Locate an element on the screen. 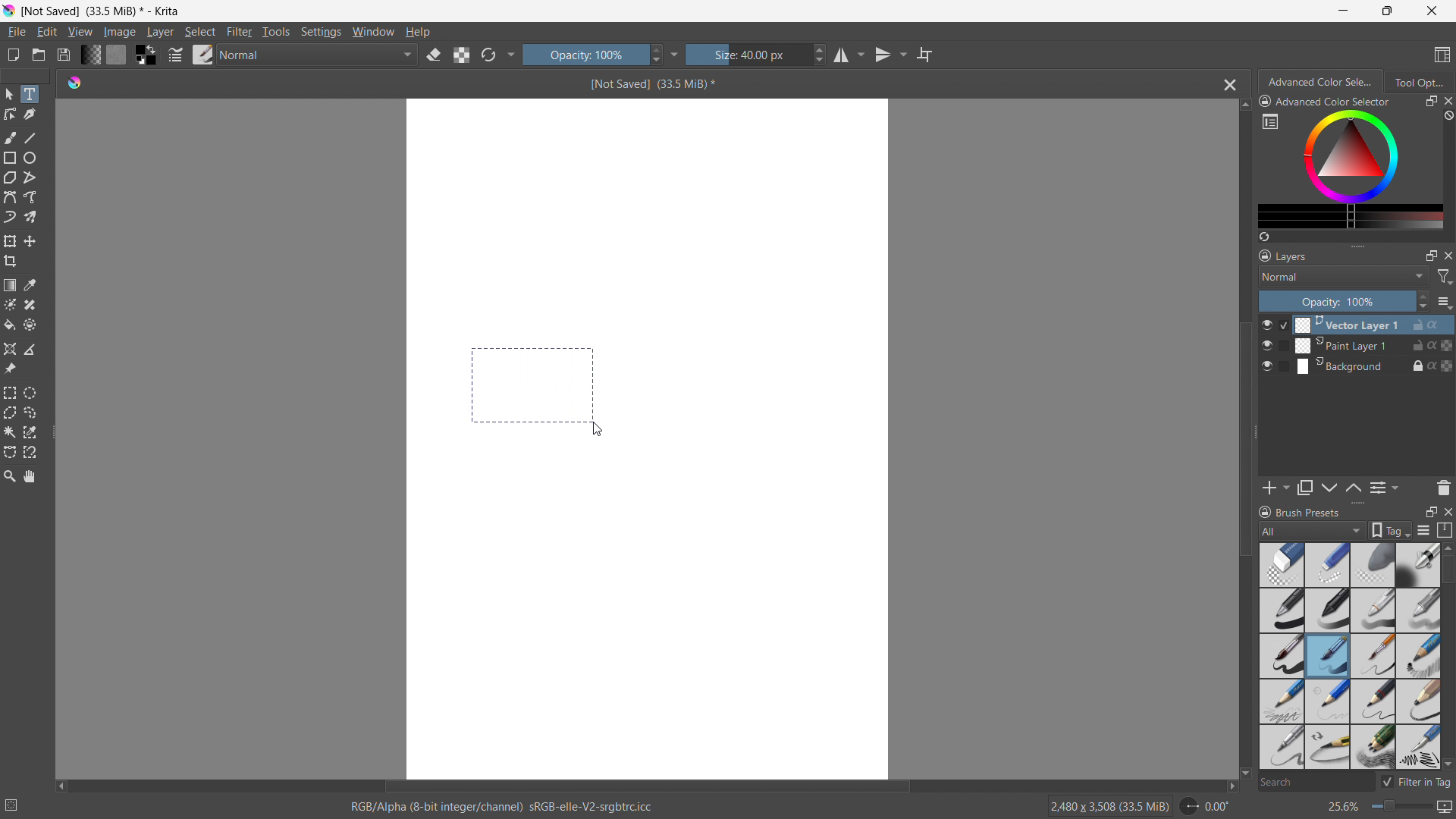 Image resolution: width=1456 pixels, height=819 pixels. save is located at coordinates (63, 55).